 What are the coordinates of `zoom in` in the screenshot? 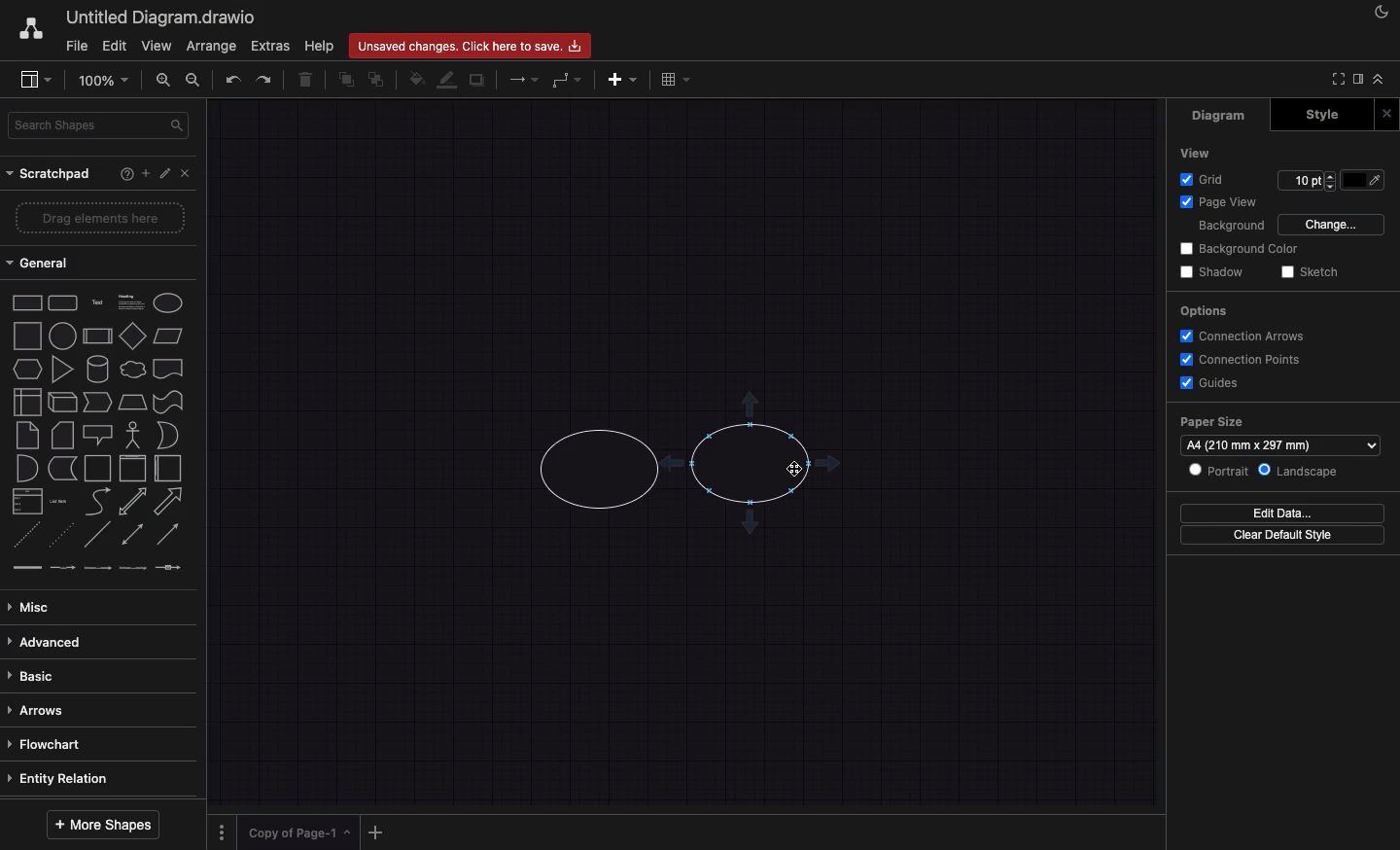 It's located at (159, 80).